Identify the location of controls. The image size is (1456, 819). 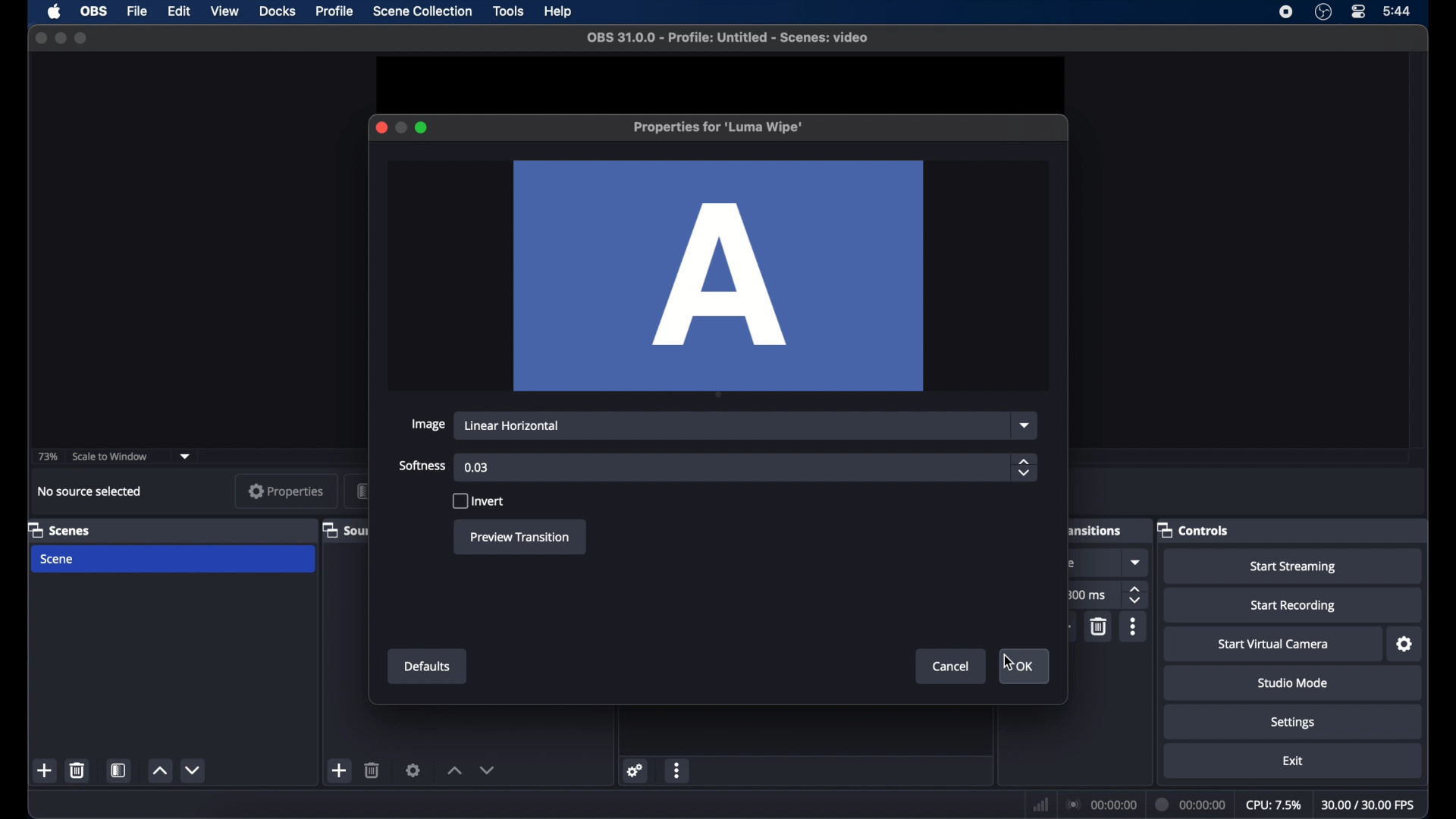
(1194, 529).